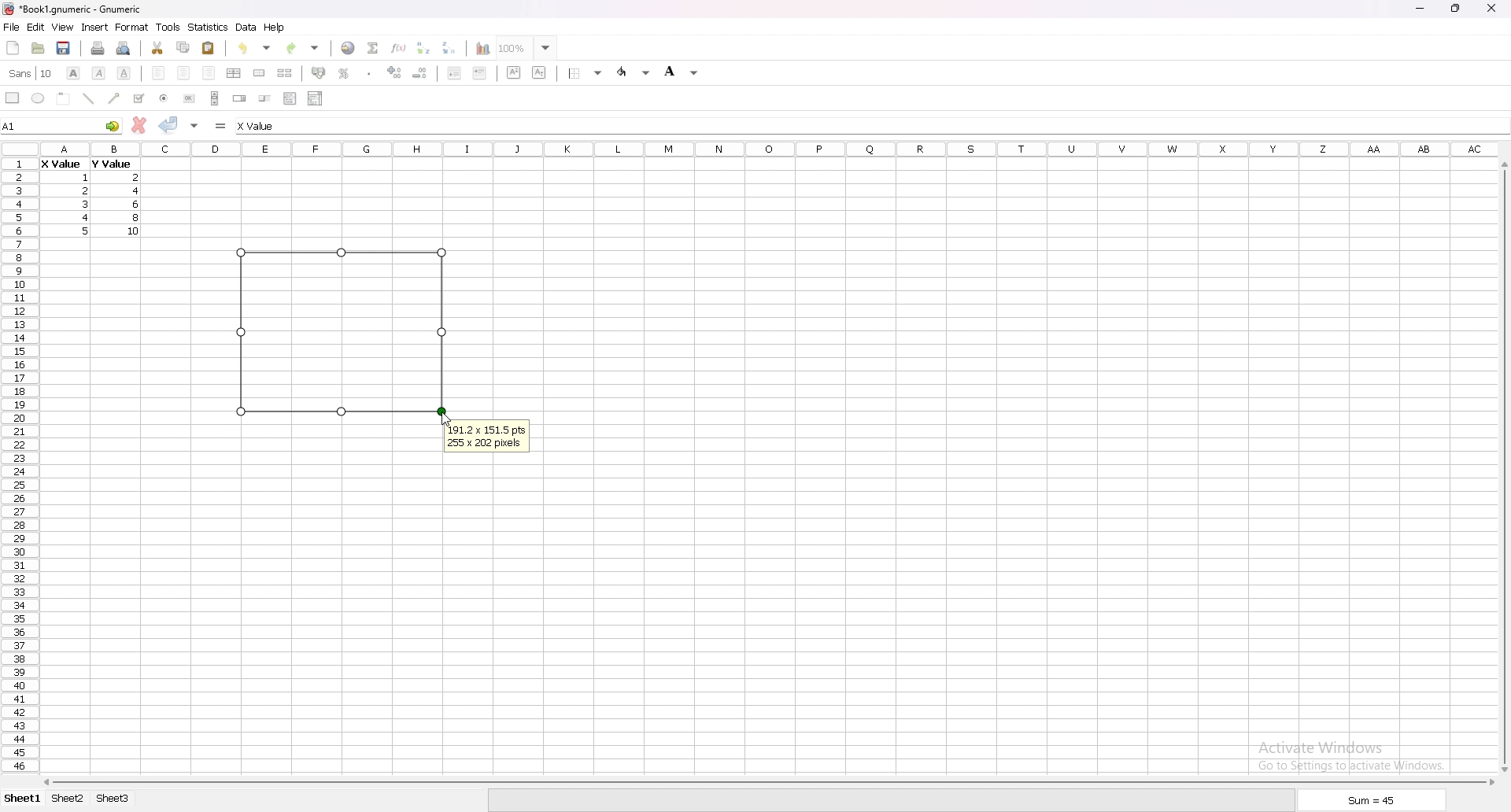 The height and width of the screenshot is (812, 1511). Describe the element at coordinates (72, 9) in the screenshot. I see `file name` at that location.